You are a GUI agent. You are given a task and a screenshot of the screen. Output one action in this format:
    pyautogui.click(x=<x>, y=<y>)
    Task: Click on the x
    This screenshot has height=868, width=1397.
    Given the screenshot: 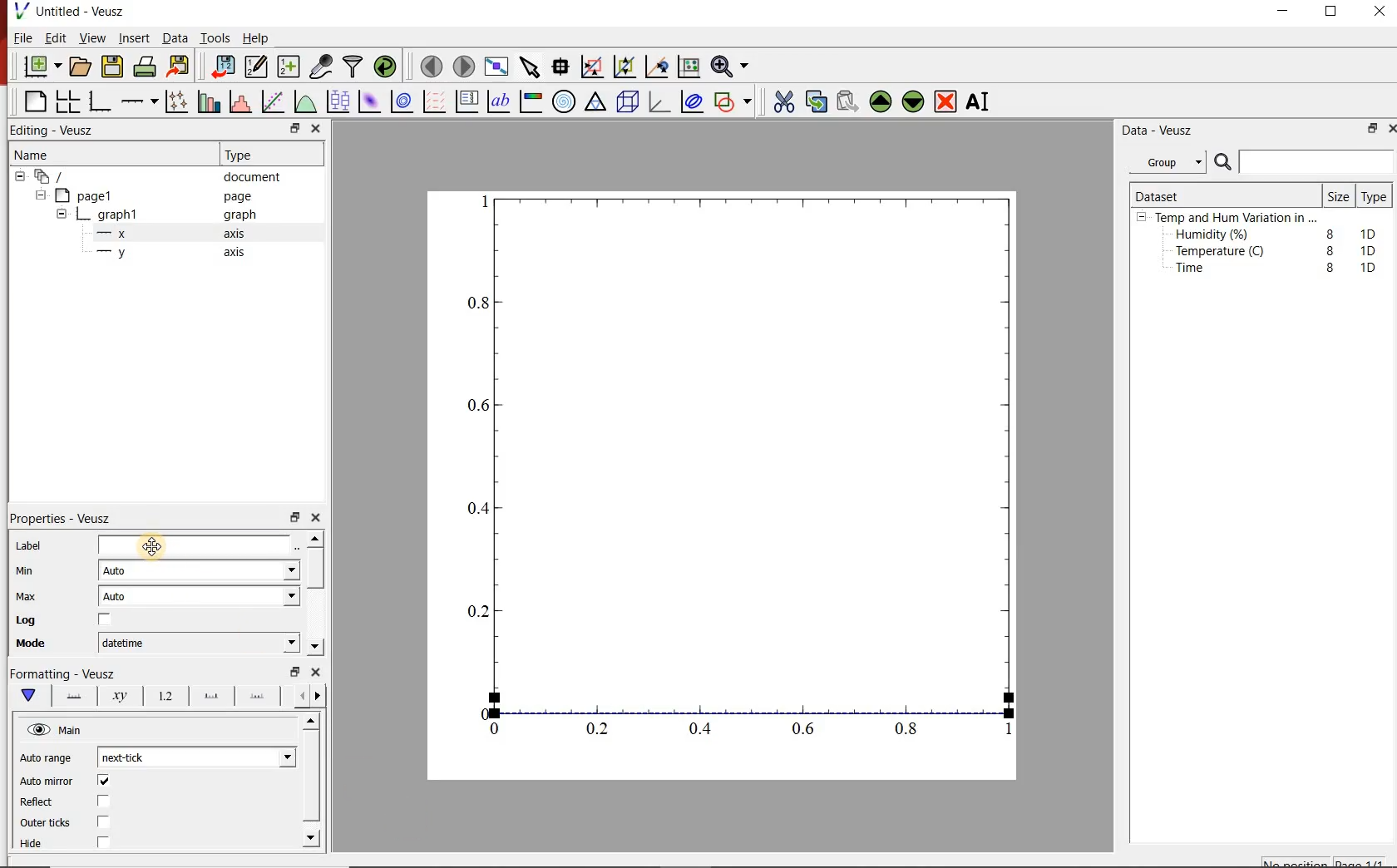 What is the action you would take?
    pyautogui.click(x=120, y=234)
    